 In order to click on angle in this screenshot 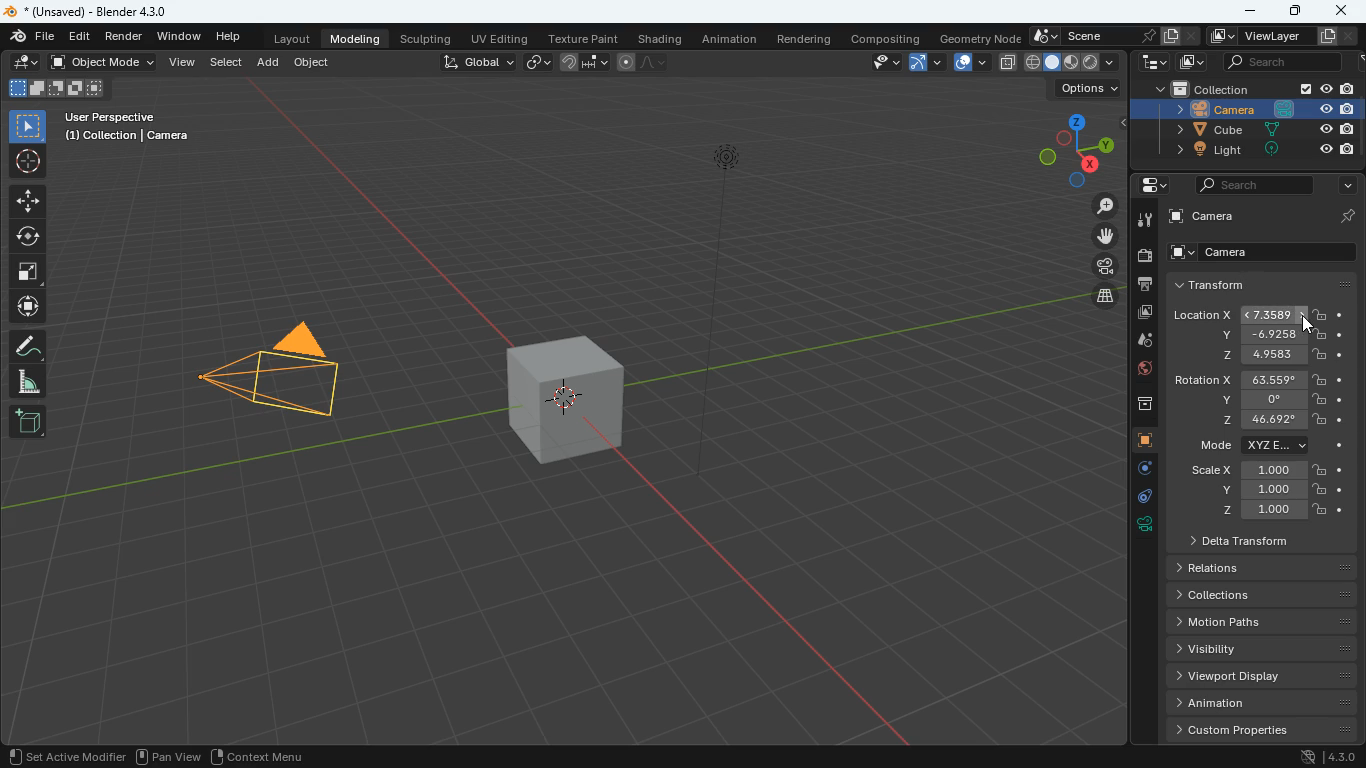, I will do `click(34, 381)`.